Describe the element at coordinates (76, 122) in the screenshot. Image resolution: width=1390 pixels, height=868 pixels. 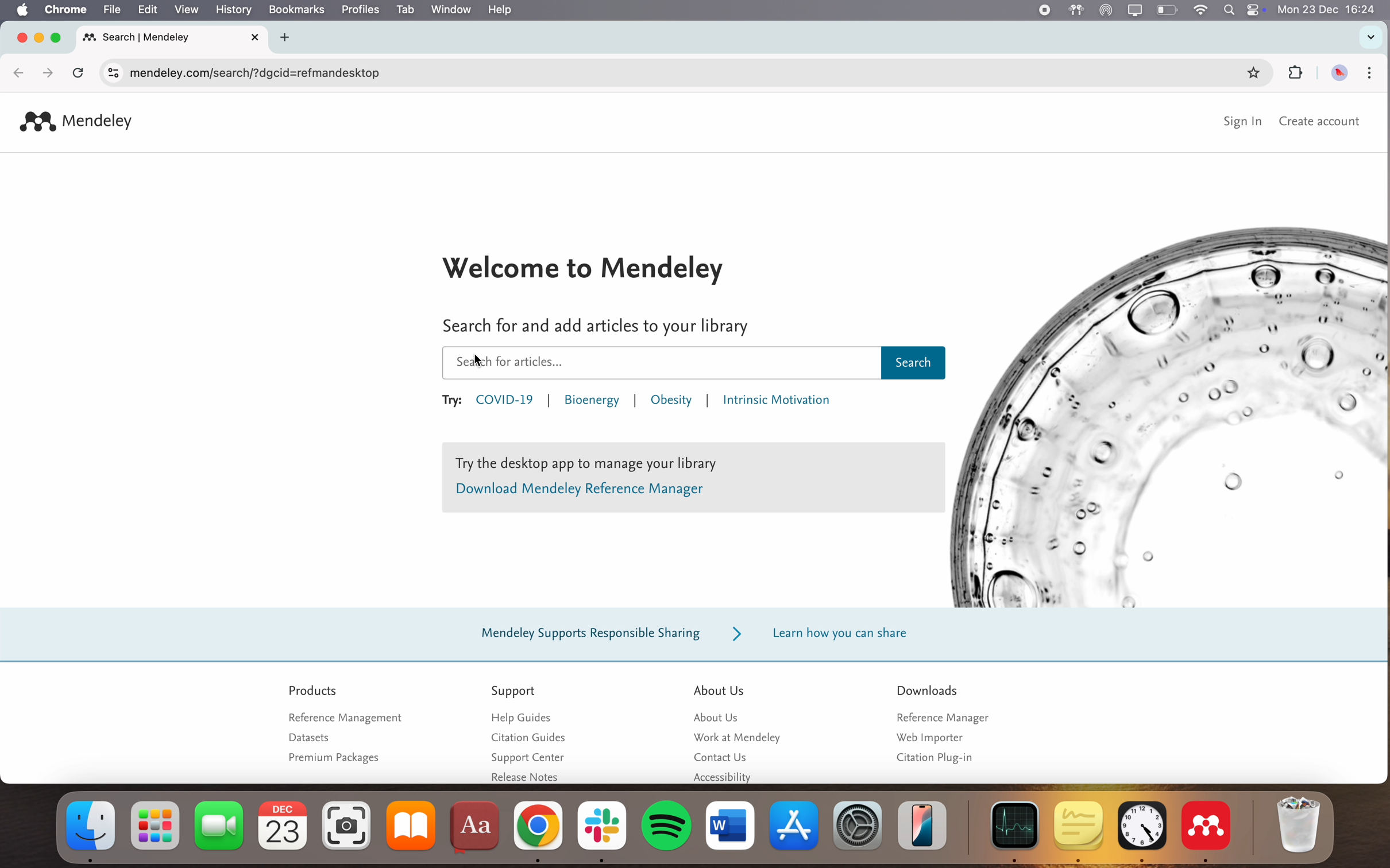
I see `Mendeley logo` at that location.